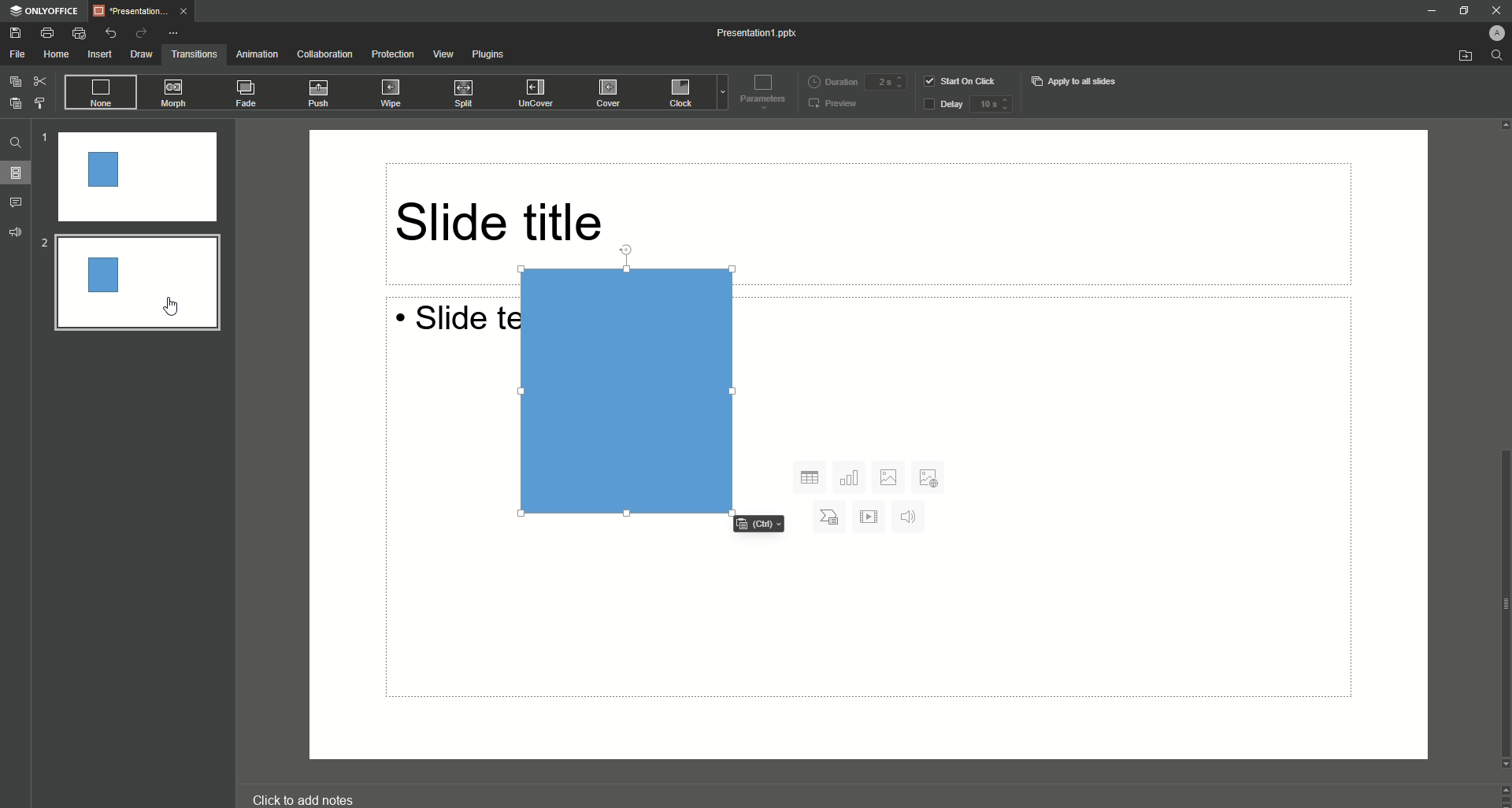 The height and width of the screenshot is (808, 1512). I want to click on ONLYOFFICE, so click(46, 10).